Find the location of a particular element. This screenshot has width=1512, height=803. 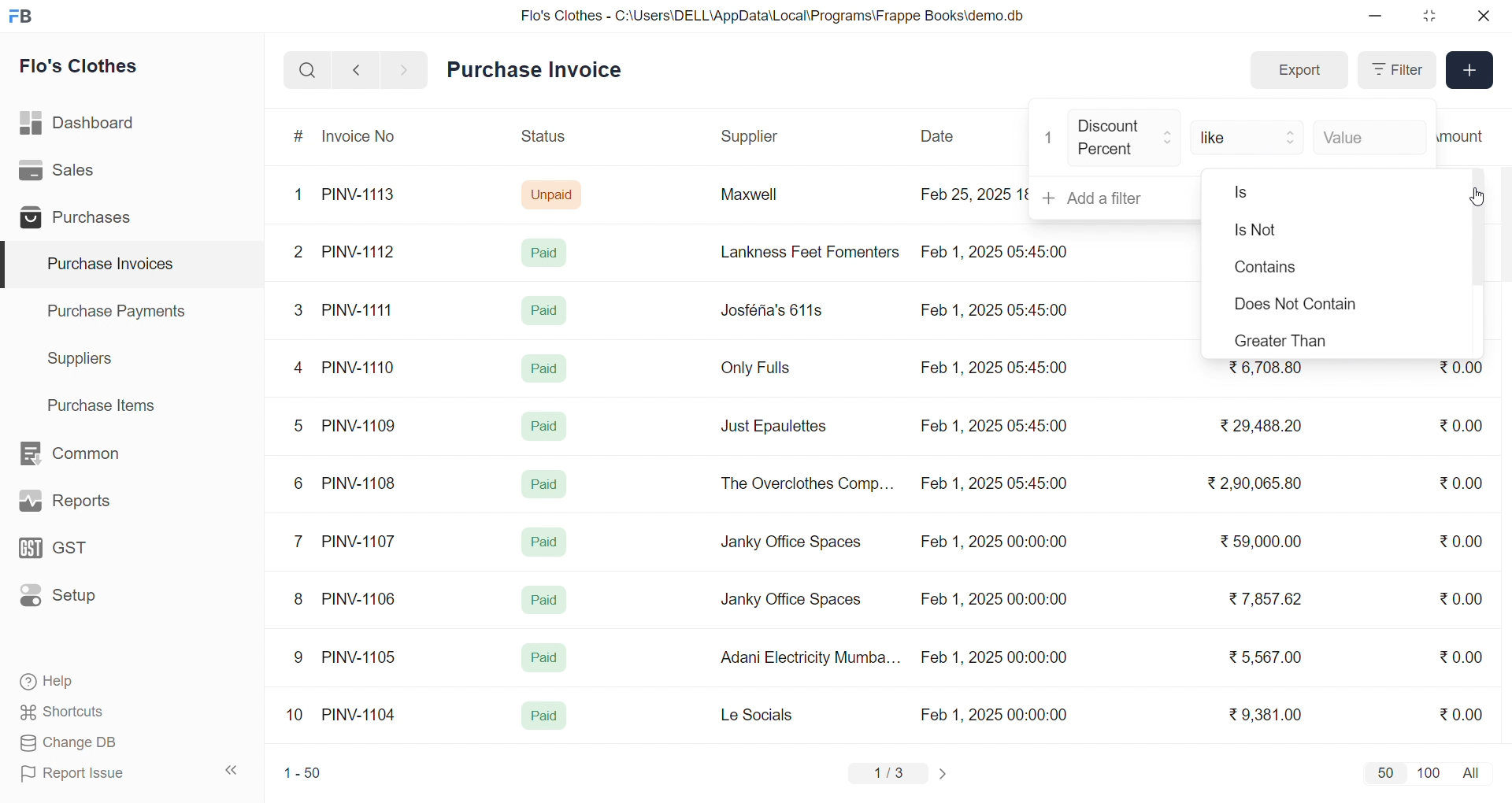

Flo's Clothes - C:\Users\DELL\AppData\Local\Programs\Frappe Books\demo.db is located at coordinates (773, 16).